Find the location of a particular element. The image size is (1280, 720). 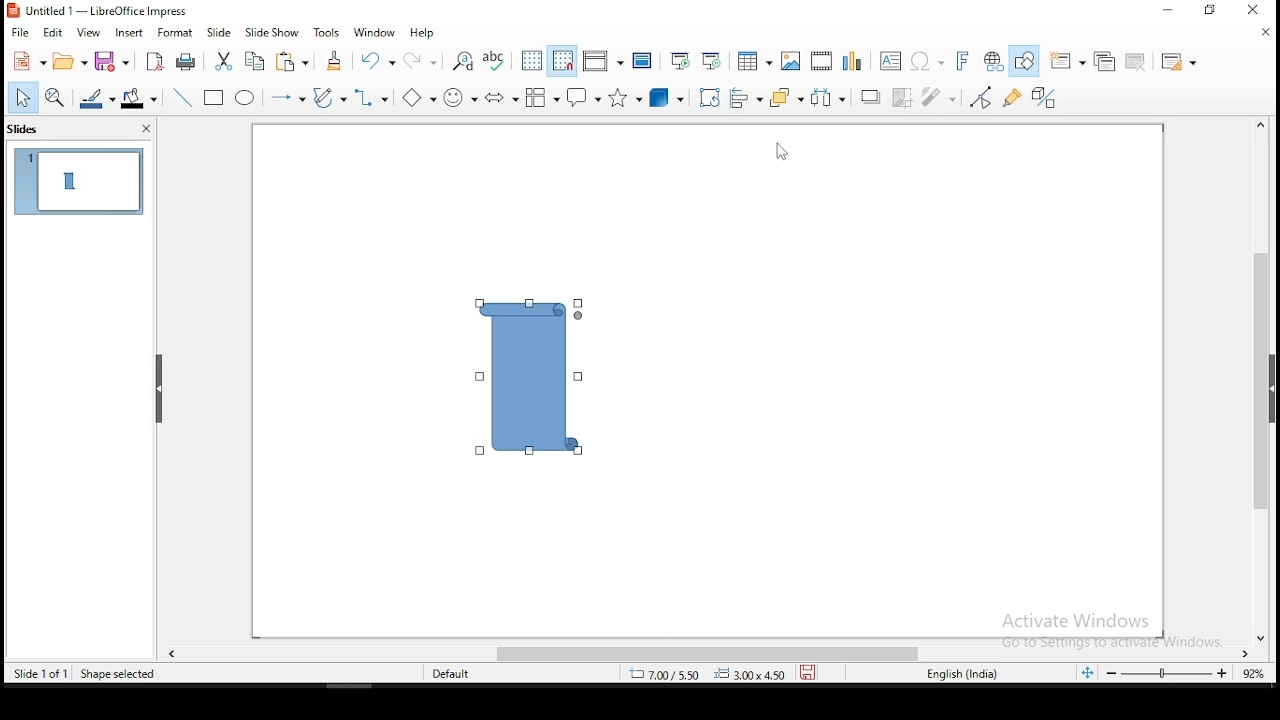

symbol shapes is located at coordinates (463, 95).